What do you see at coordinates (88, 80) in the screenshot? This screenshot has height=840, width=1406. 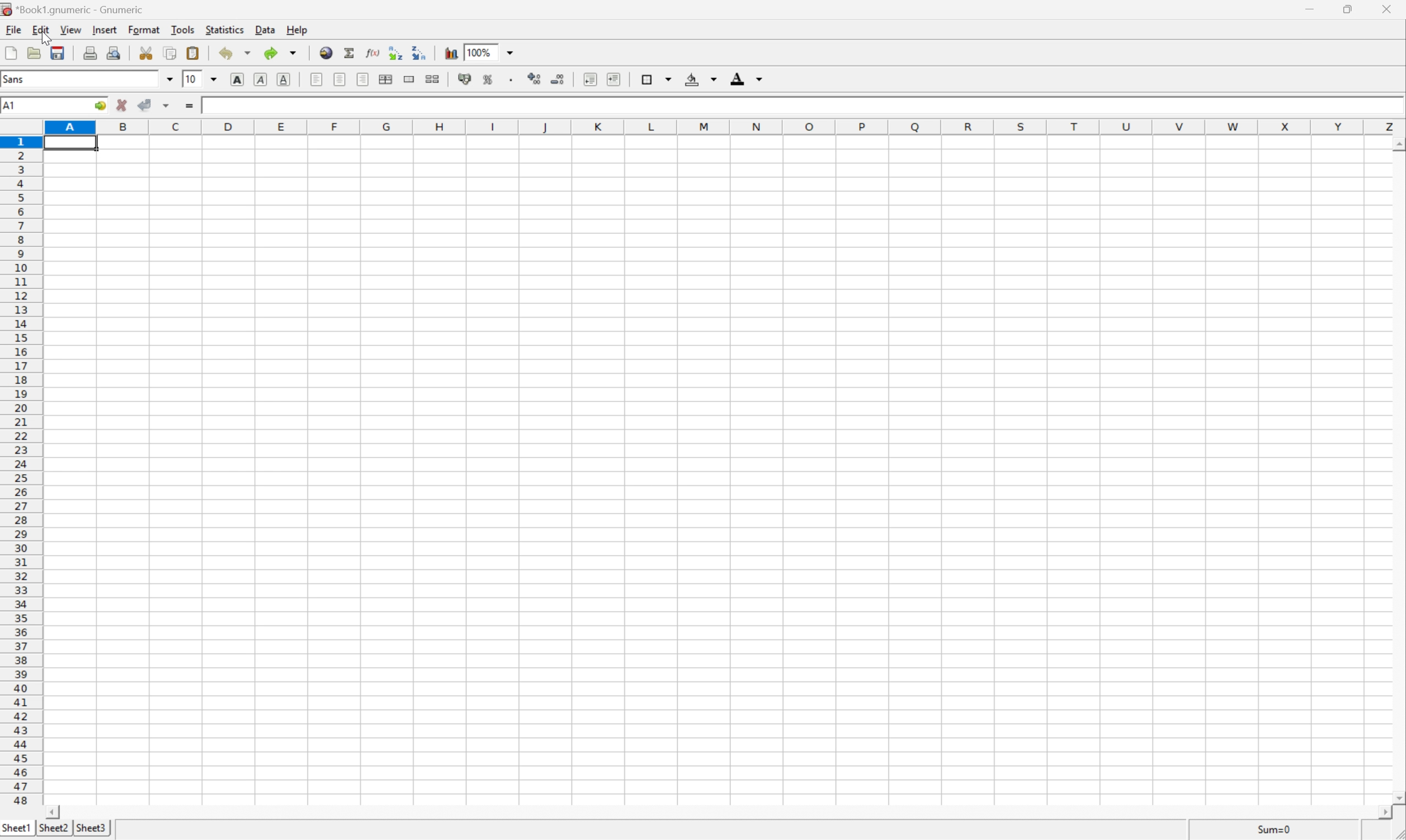 I see `Font name - sans` at bounding box center [88, 80].